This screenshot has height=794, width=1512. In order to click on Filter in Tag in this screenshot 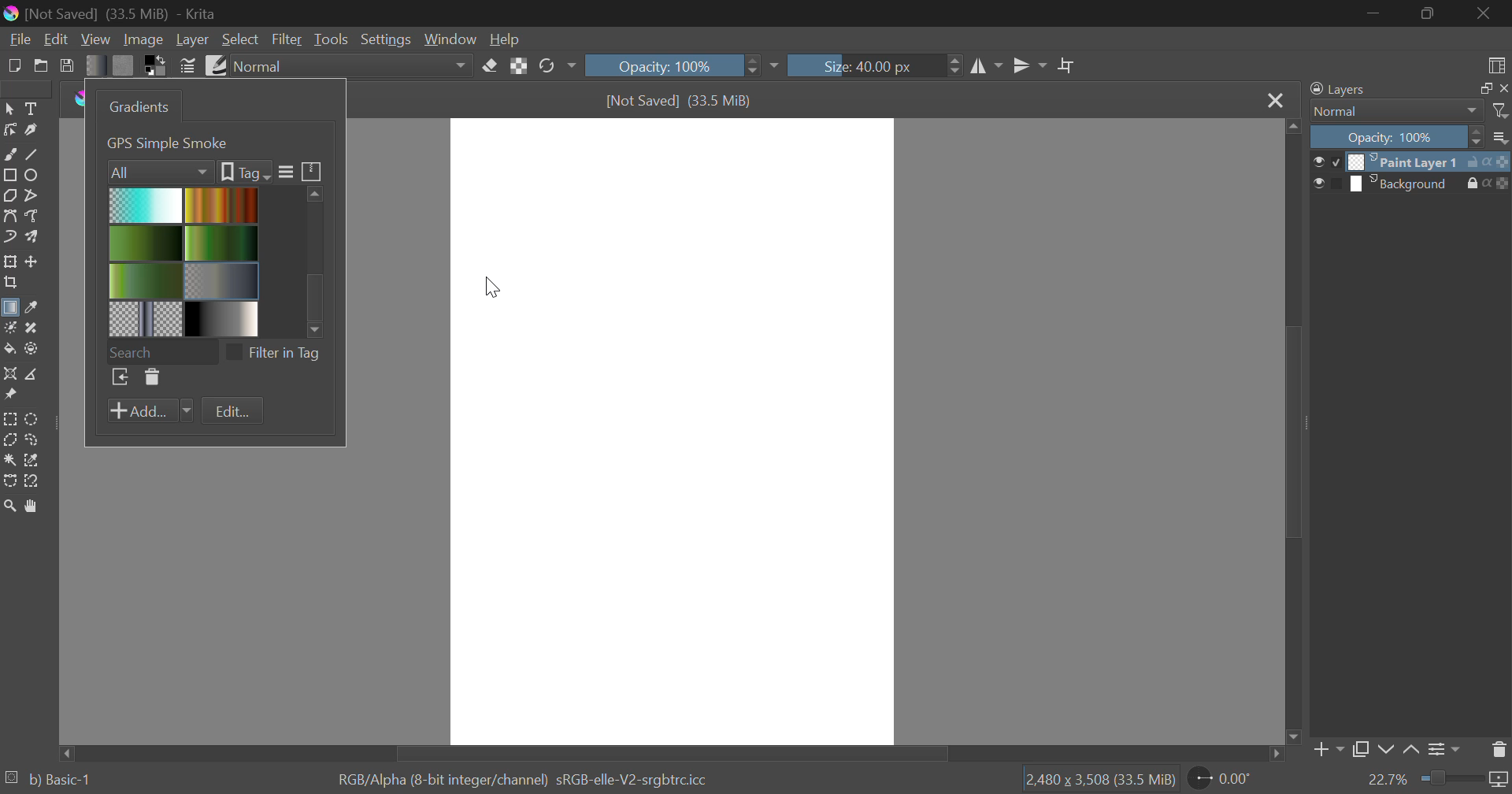, I will do `click(278, 351)`.